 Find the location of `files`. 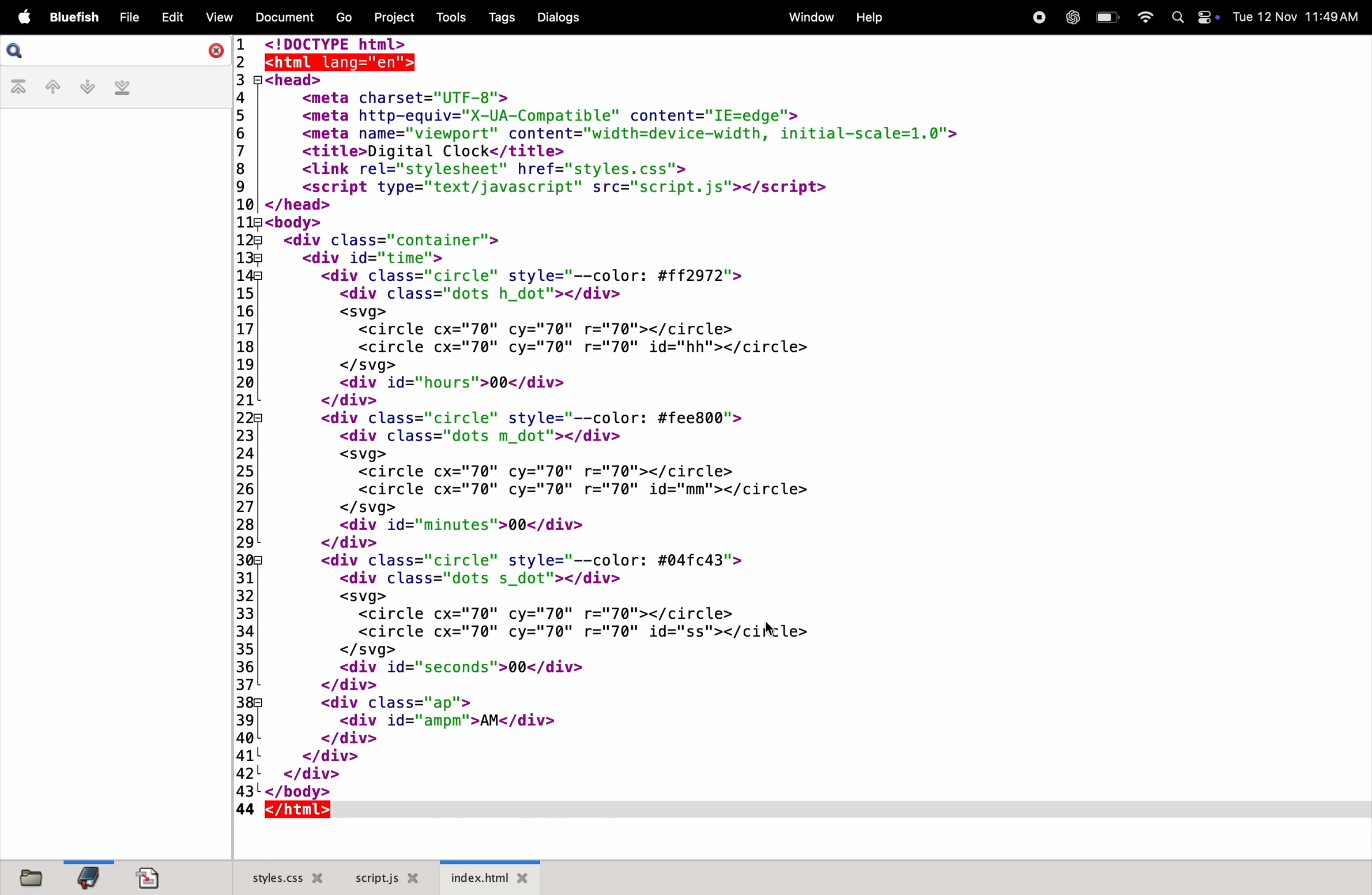

files is located at coordinates (29, 877).